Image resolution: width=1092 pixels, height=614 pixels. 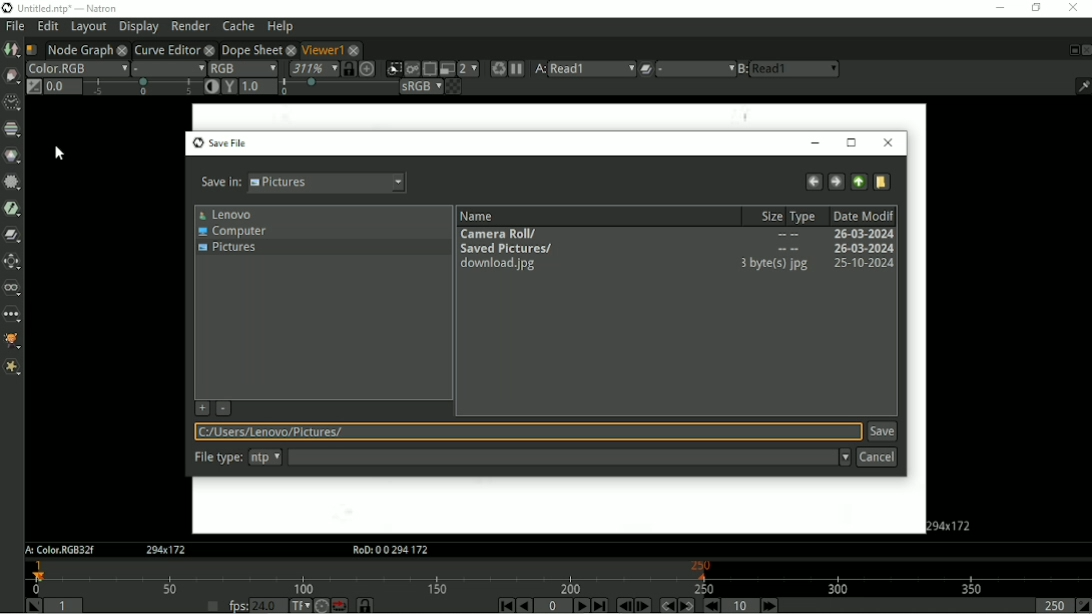 What do you see at coordinates (142, 87) in the screenshot?
I see `selection bar` at bounding box center [142, 87].